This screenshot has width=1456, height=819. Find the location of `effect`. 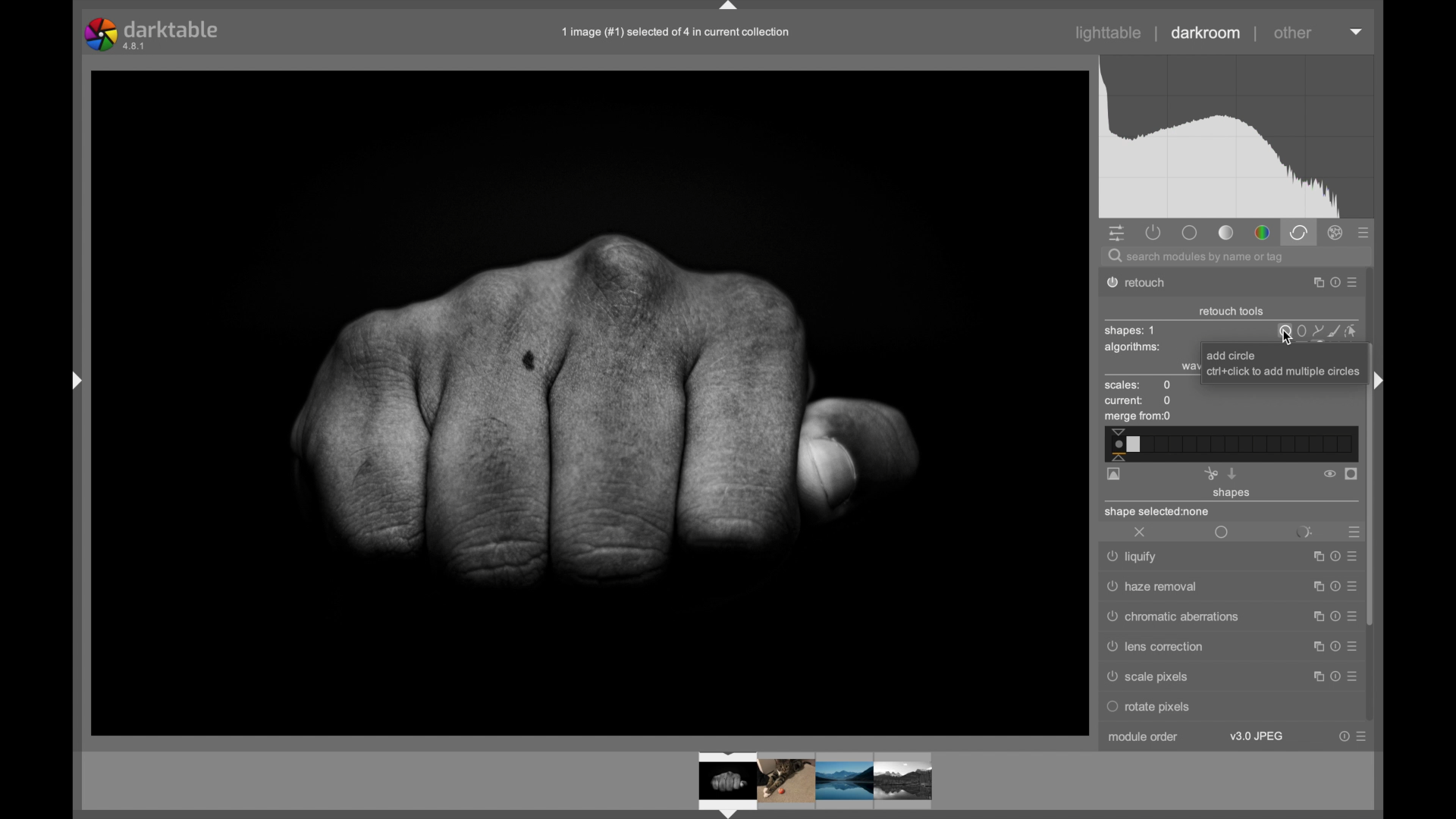

effect is located at coordinates (1336, 233).